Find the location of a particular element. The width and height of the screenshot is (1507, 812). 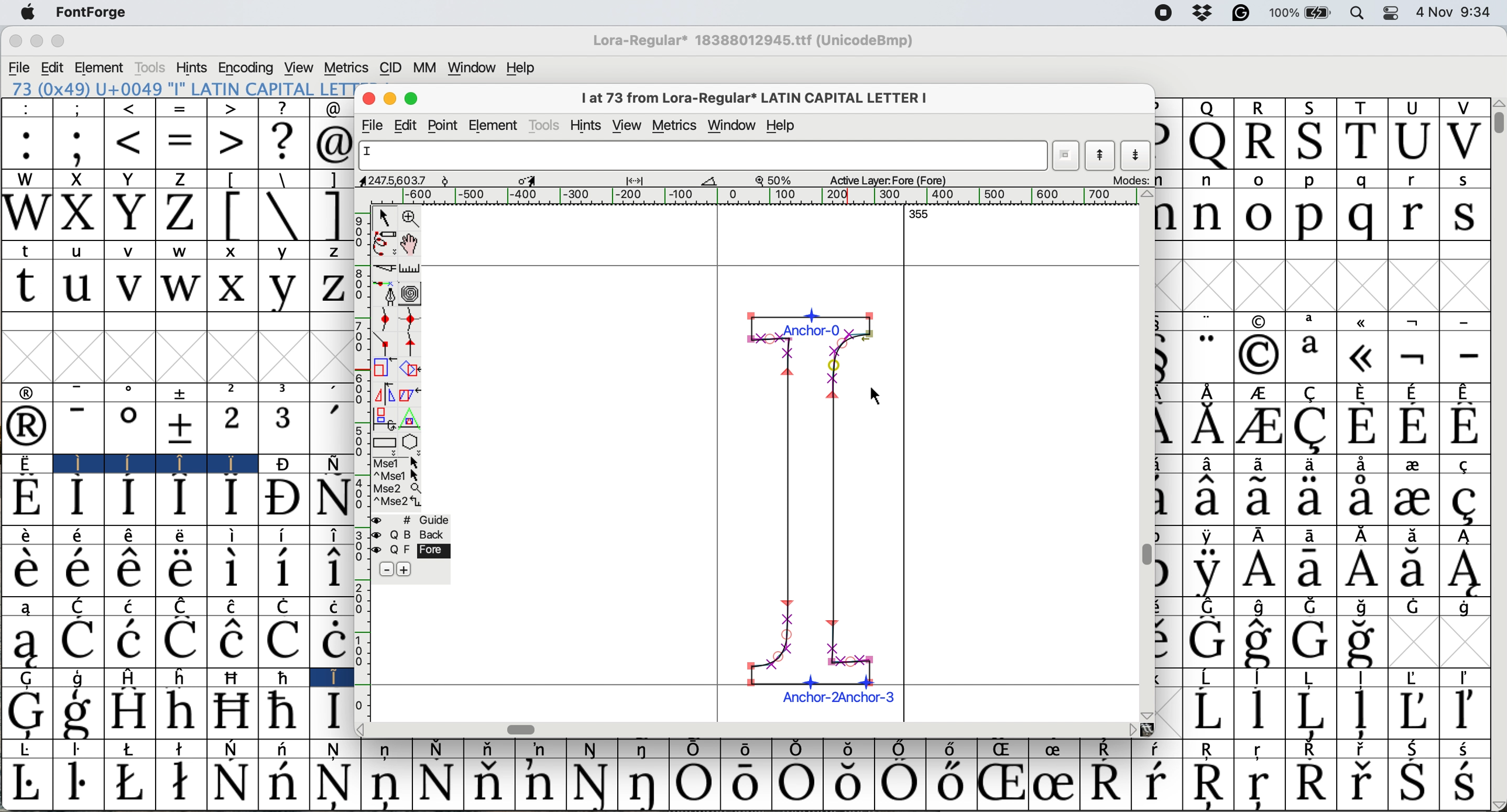

screen recorder is located at coordinates (1162, 14).